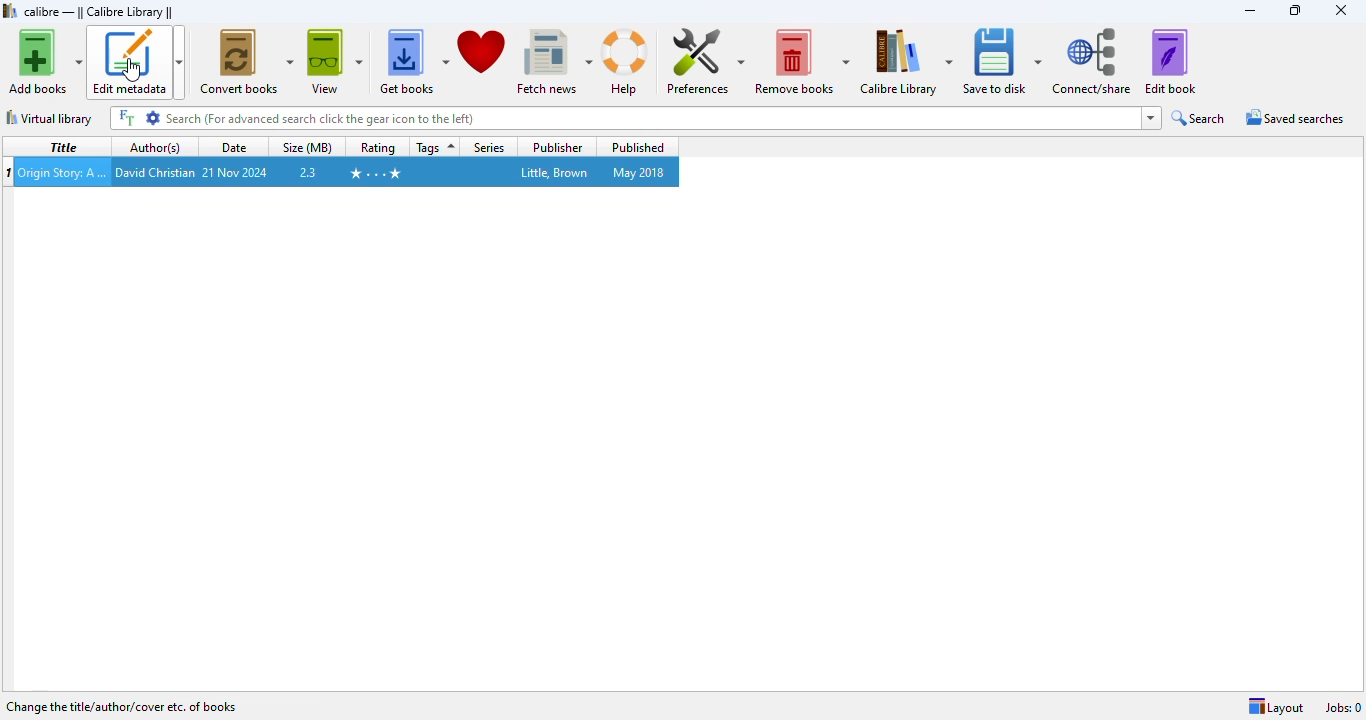 Image resolution: width=1366 pixels, height=720 pixels. I want to click on date, so click(234, 148).